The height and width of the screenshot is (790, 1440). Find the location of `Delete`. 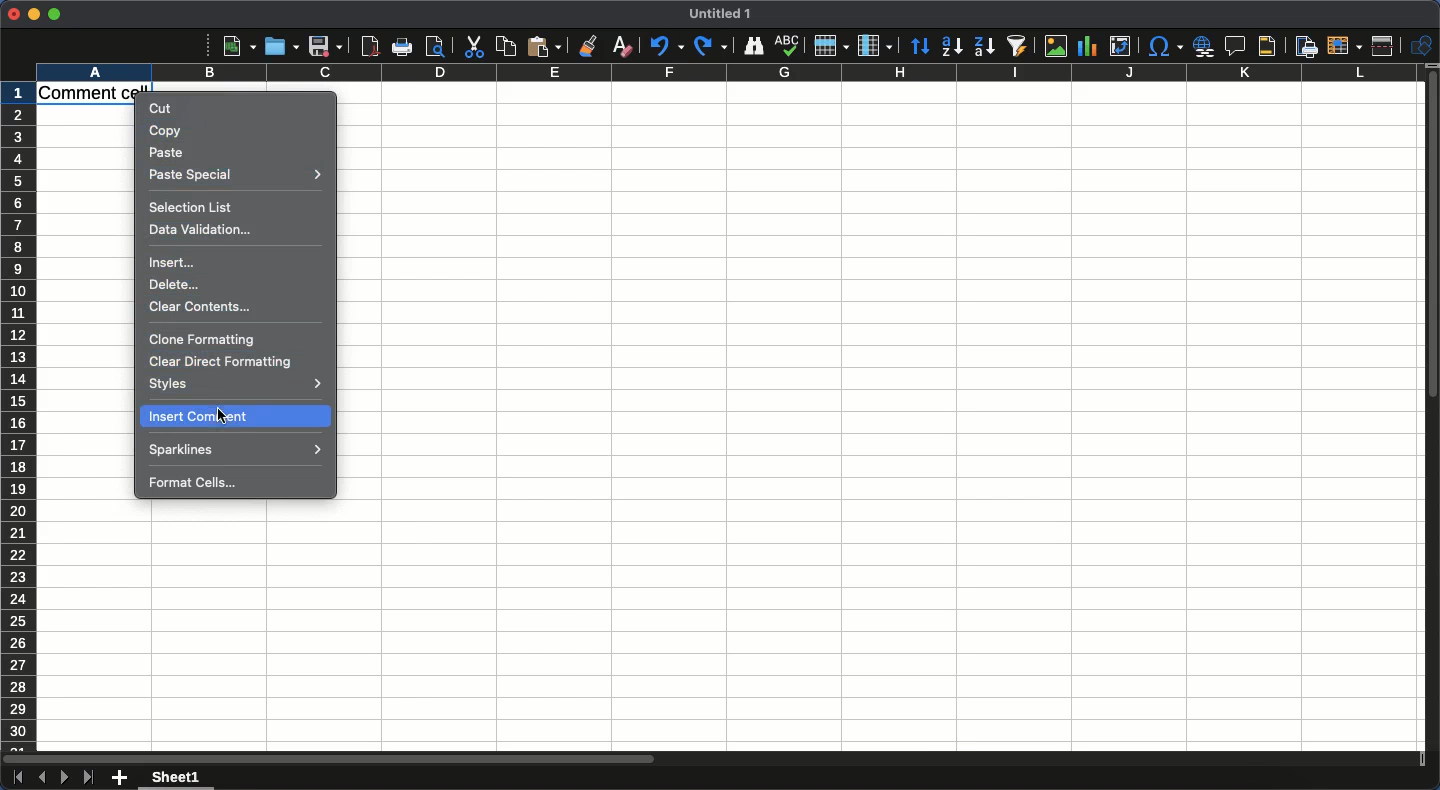

Delete is located at coordinates (179, 285).